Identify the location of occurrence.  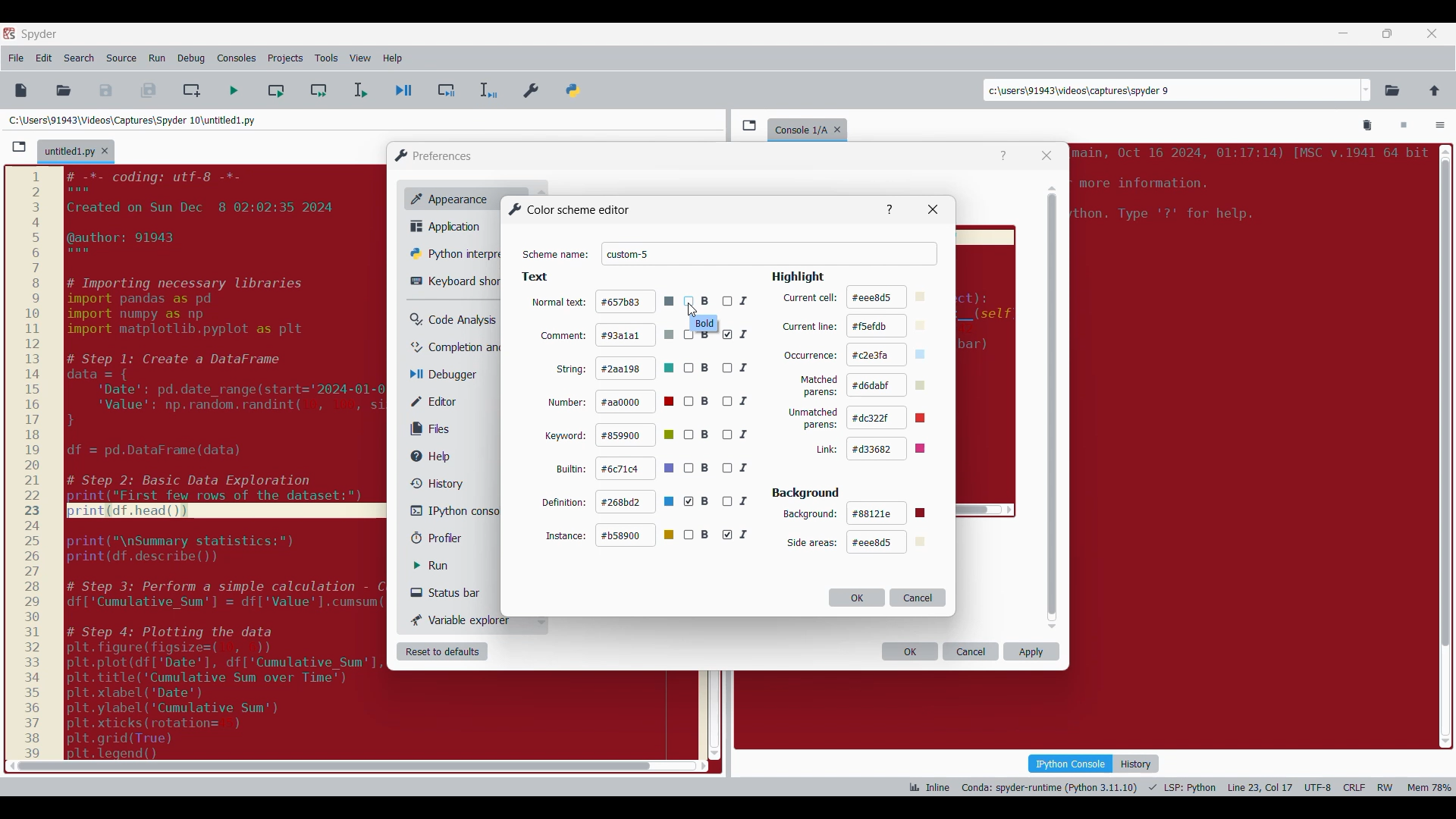
(811, 356).